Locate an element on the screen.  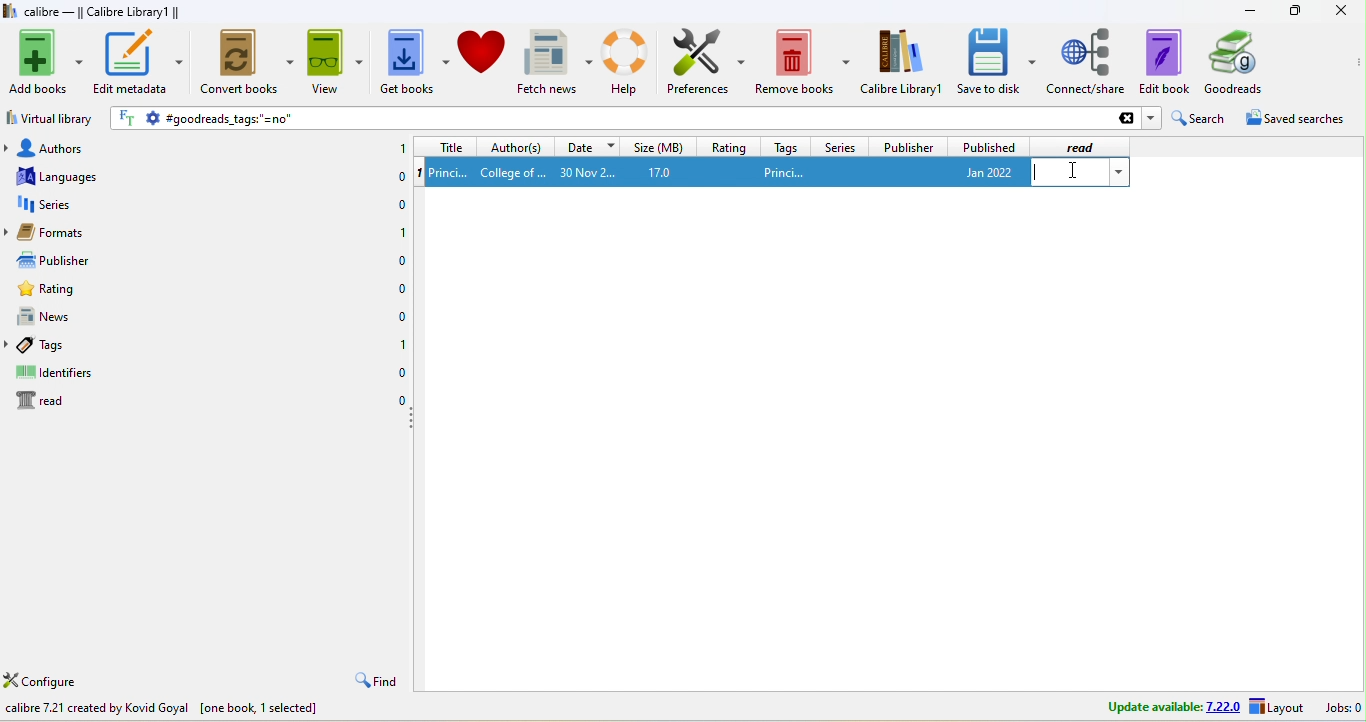
0 is located at coordinates (401, 398).